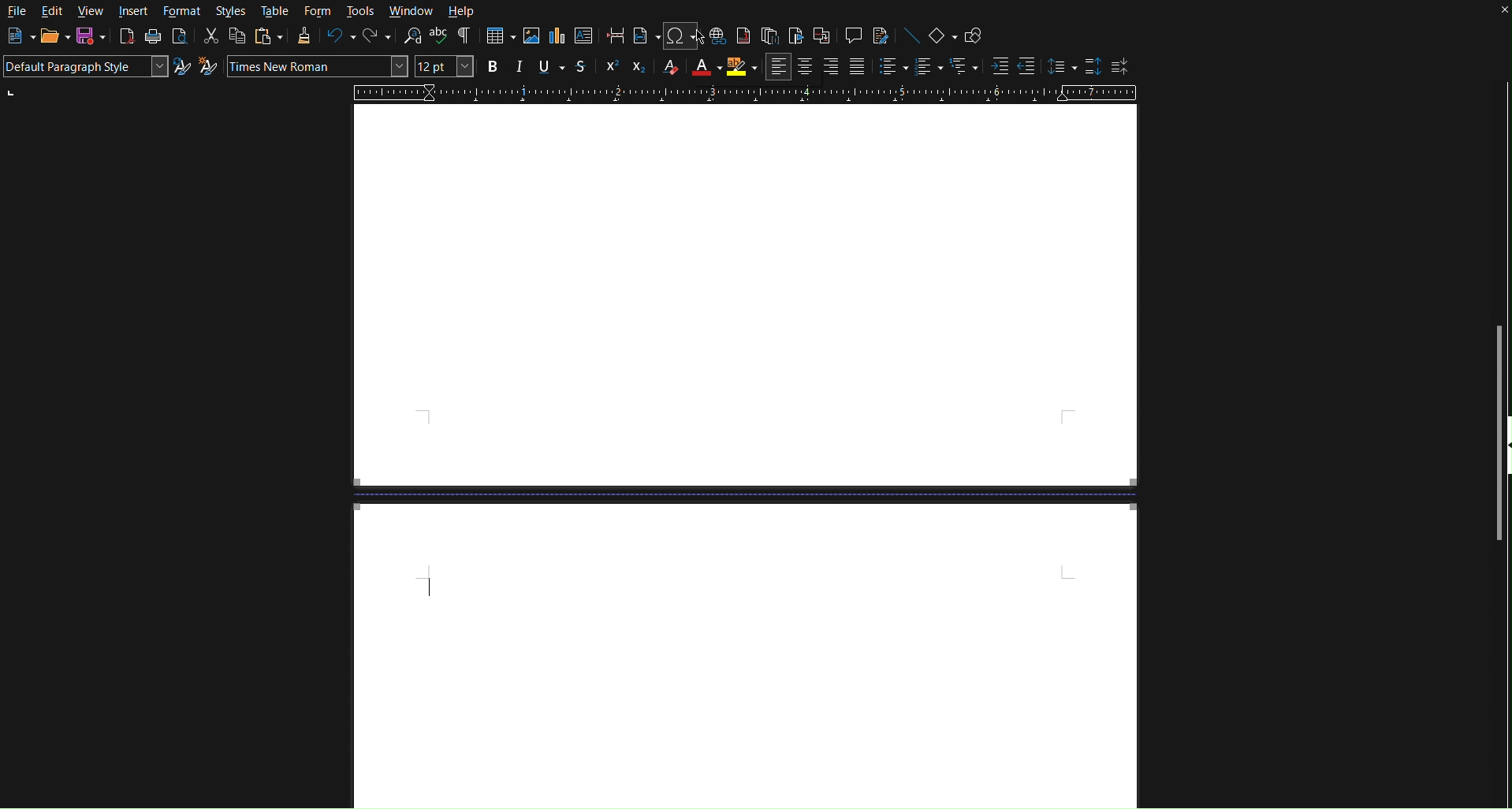 The image size is (1512, 809). Describe the element at coordinates (85, 68) in the screenshot. I see `Default Paragraph Style` at that location.